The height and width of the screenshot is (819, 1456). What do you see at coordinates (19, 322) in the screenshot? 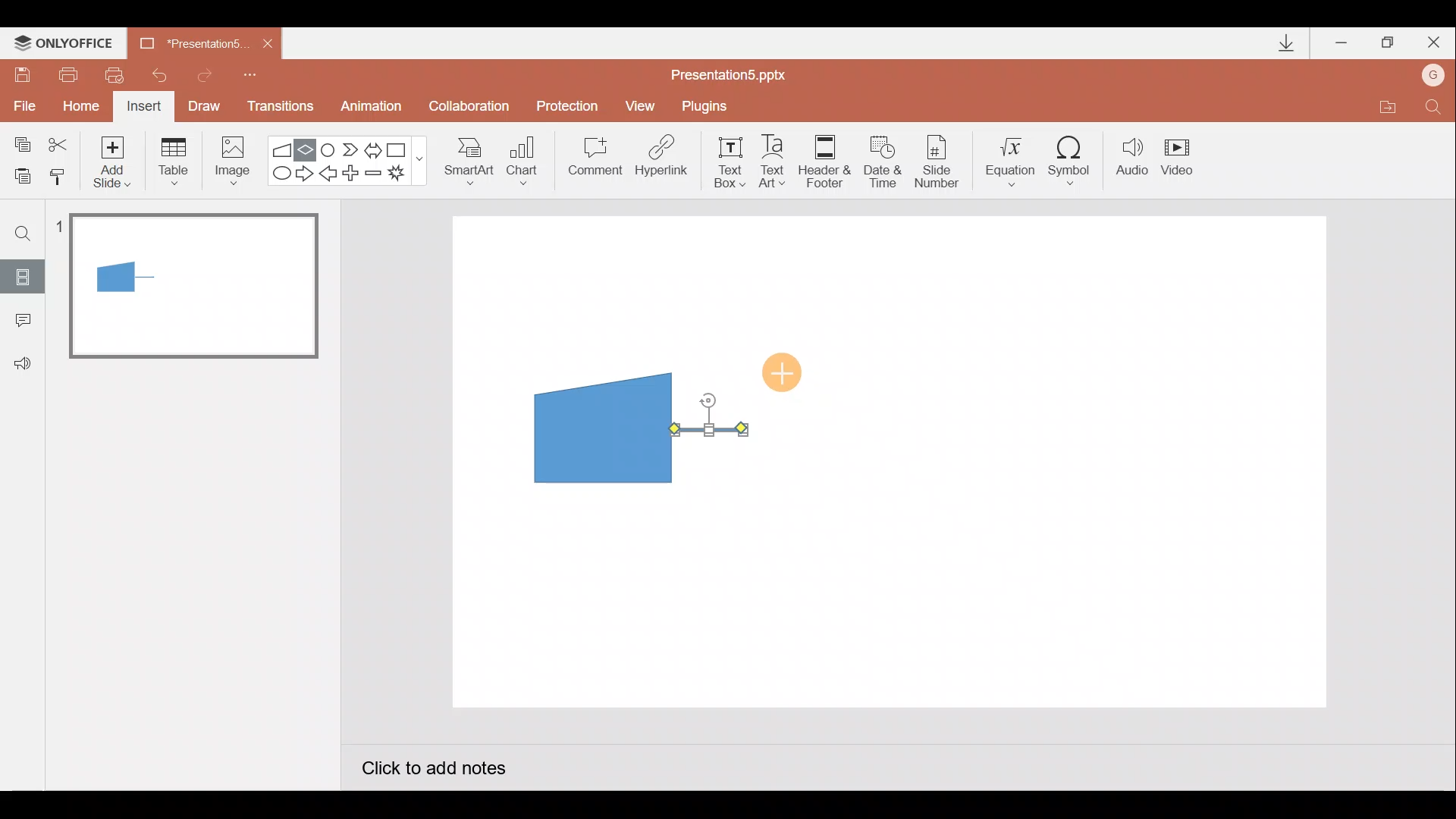
I see `Comments` at bounding box center [19, 322].